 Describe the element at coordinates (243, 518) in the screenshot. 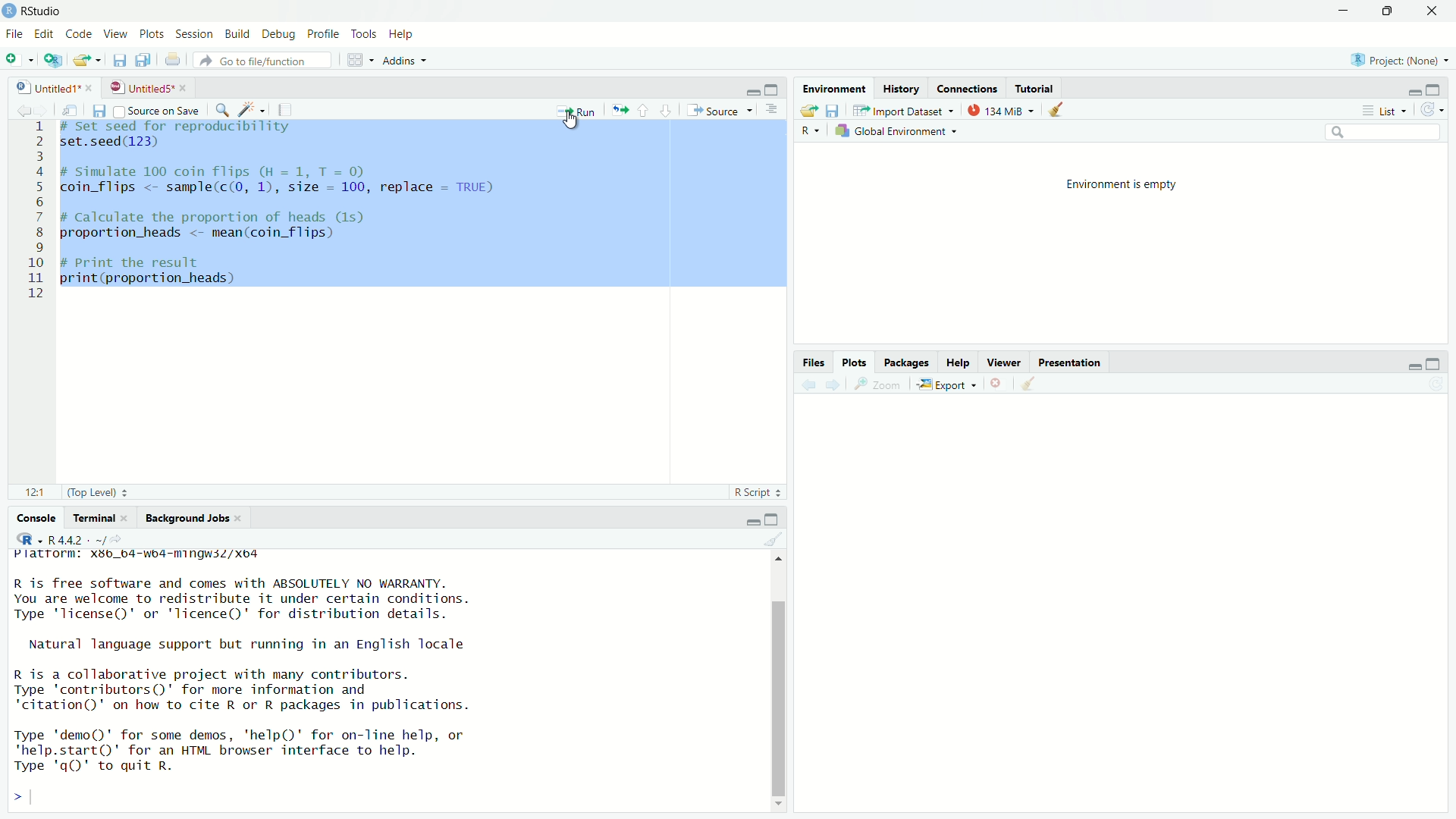

I see `close` at that location.